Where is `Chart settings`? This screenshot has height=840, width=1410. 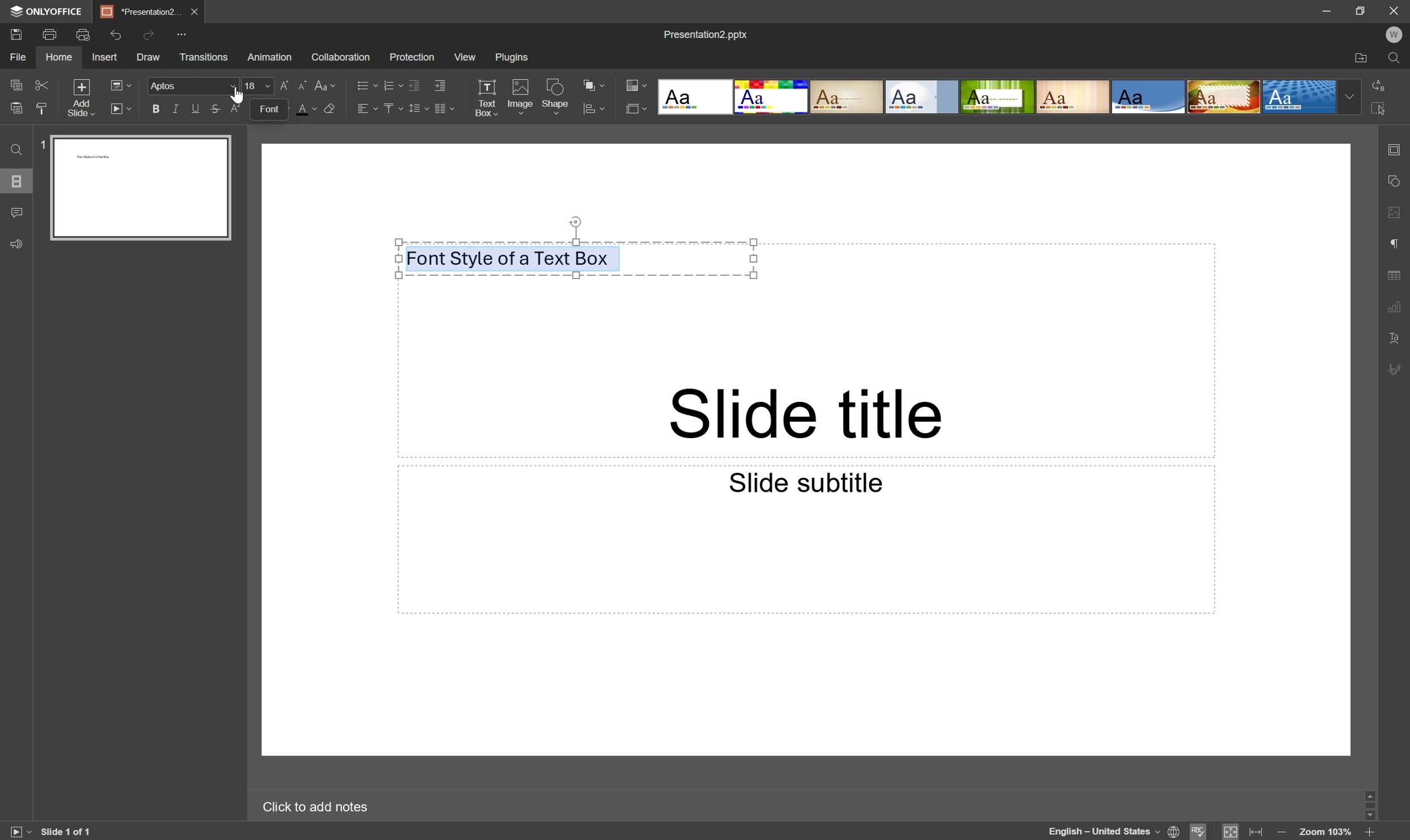 Chart settings is located at coordinates (1399, 309).